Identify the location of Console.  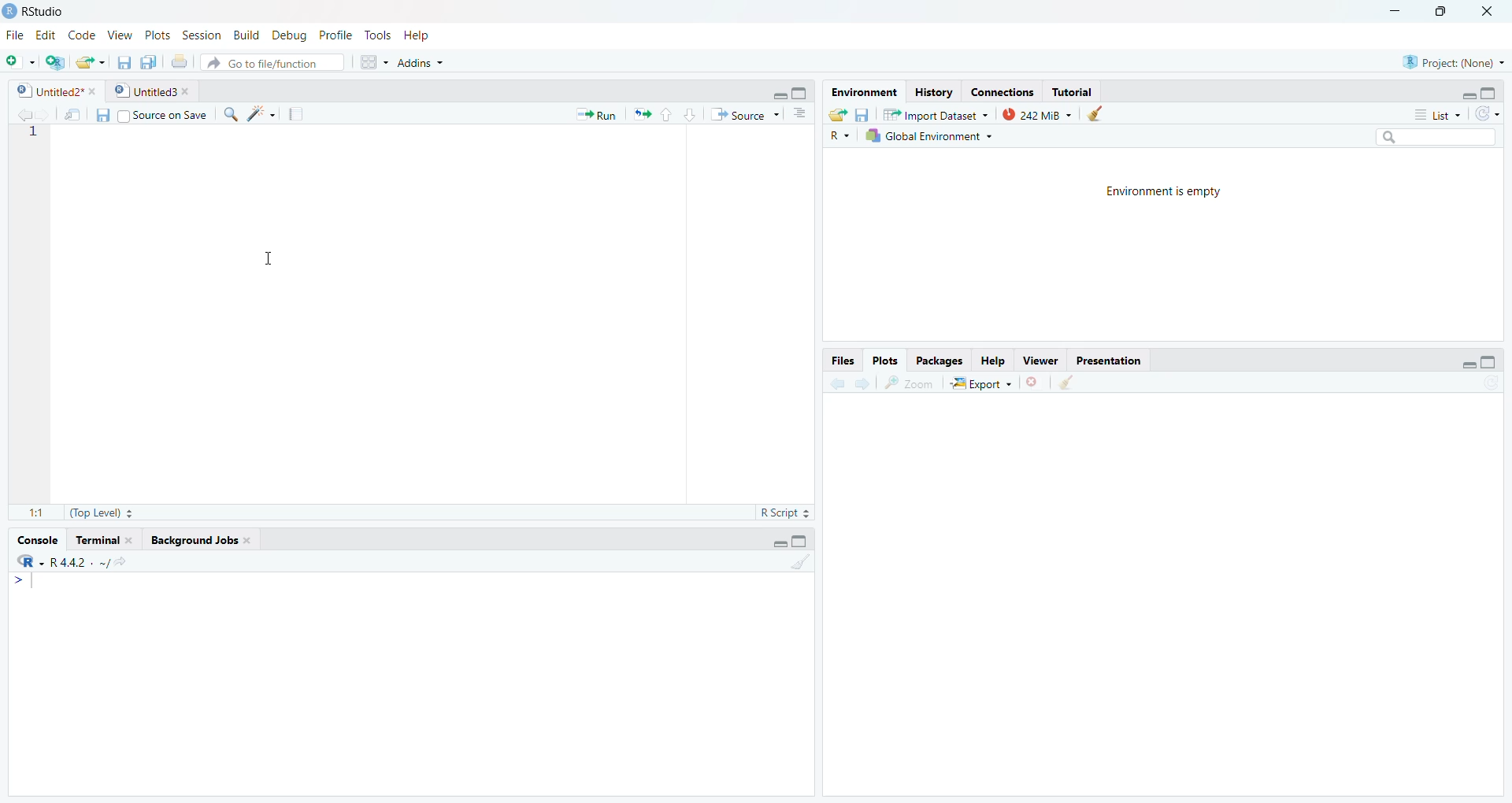
(37, 540).